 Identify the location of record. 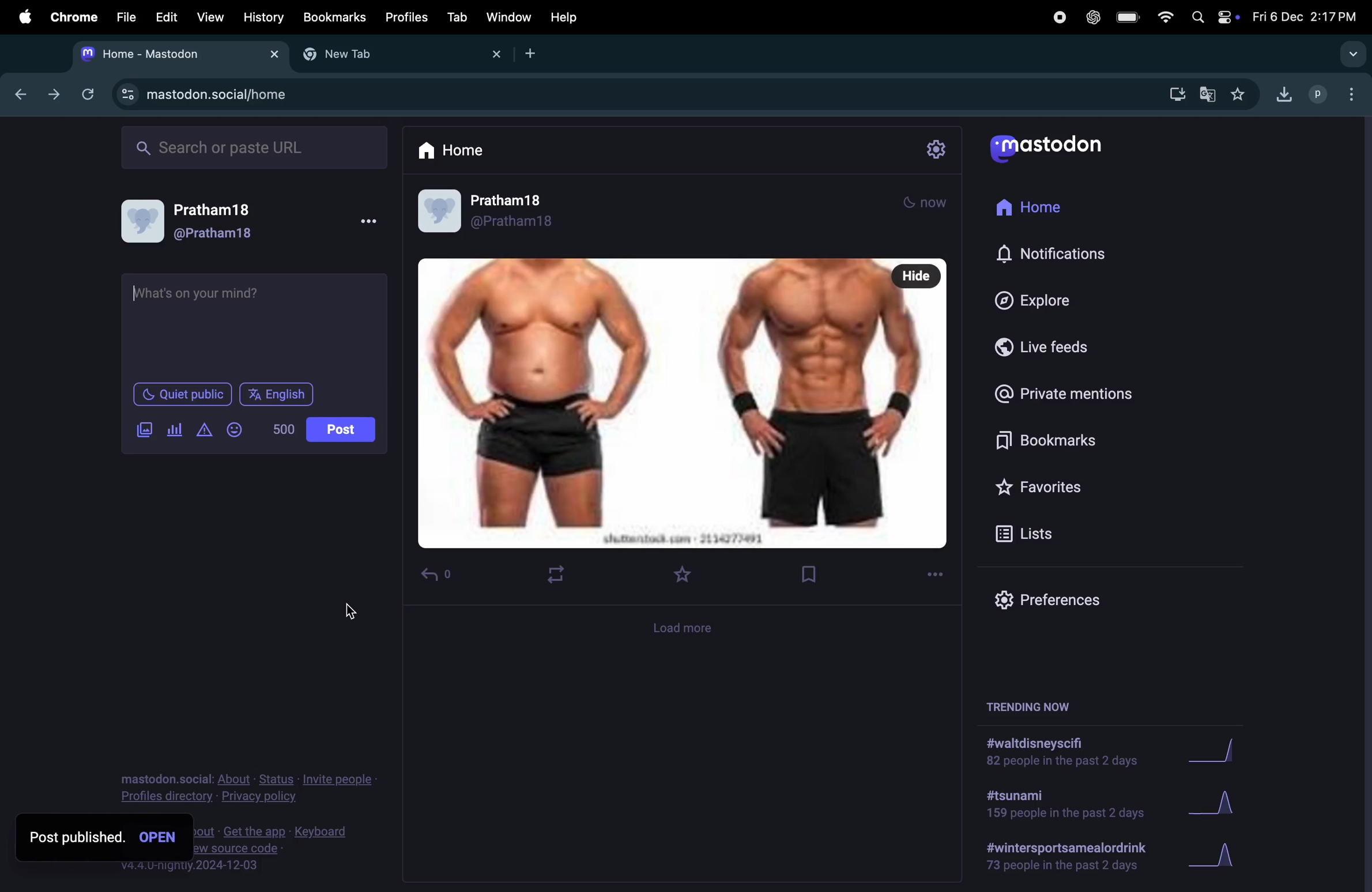
(1058, 17).